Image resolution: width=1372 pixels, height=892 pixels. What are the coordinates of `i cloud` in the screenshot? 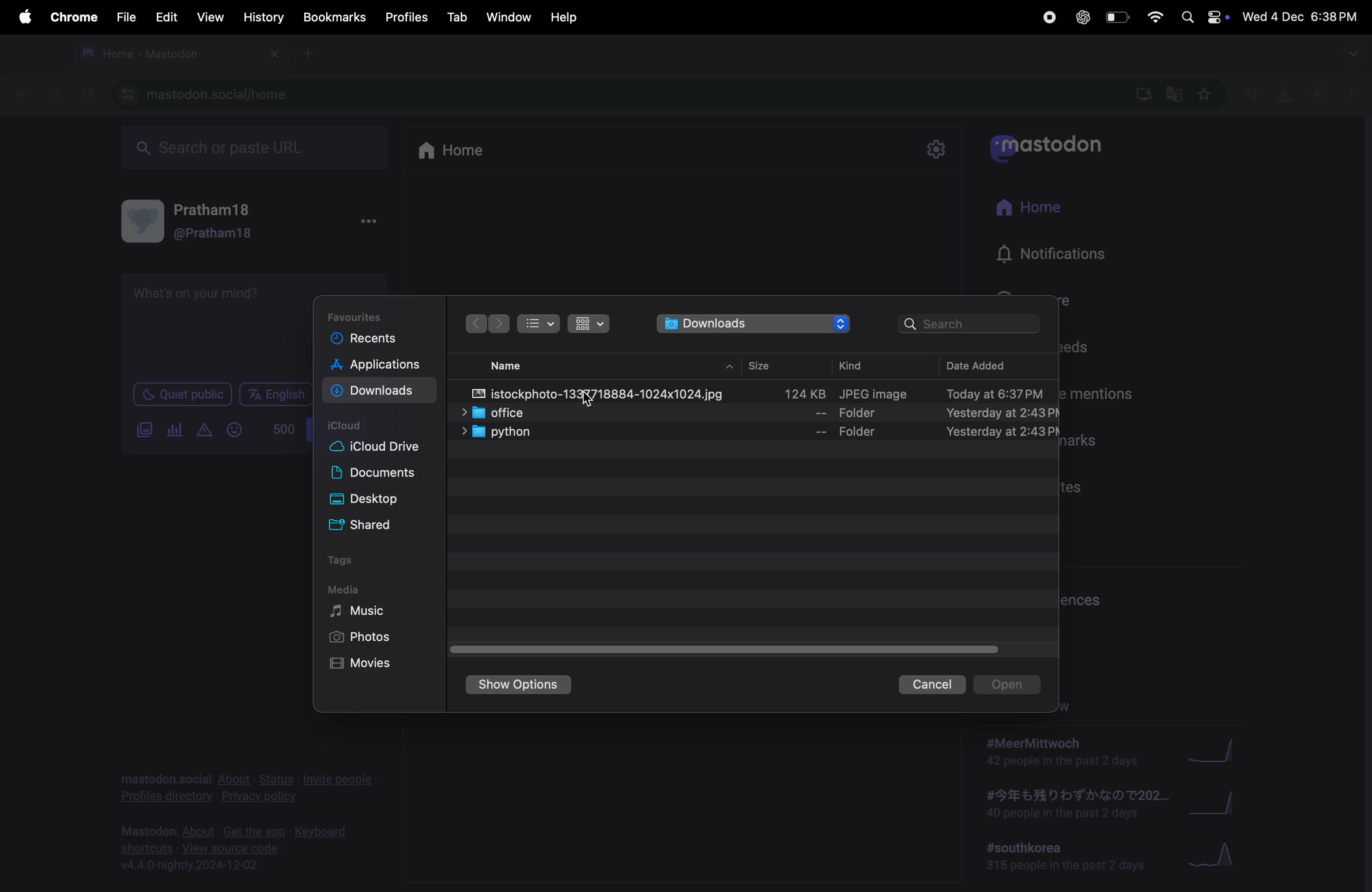 It's located at (350, 426).